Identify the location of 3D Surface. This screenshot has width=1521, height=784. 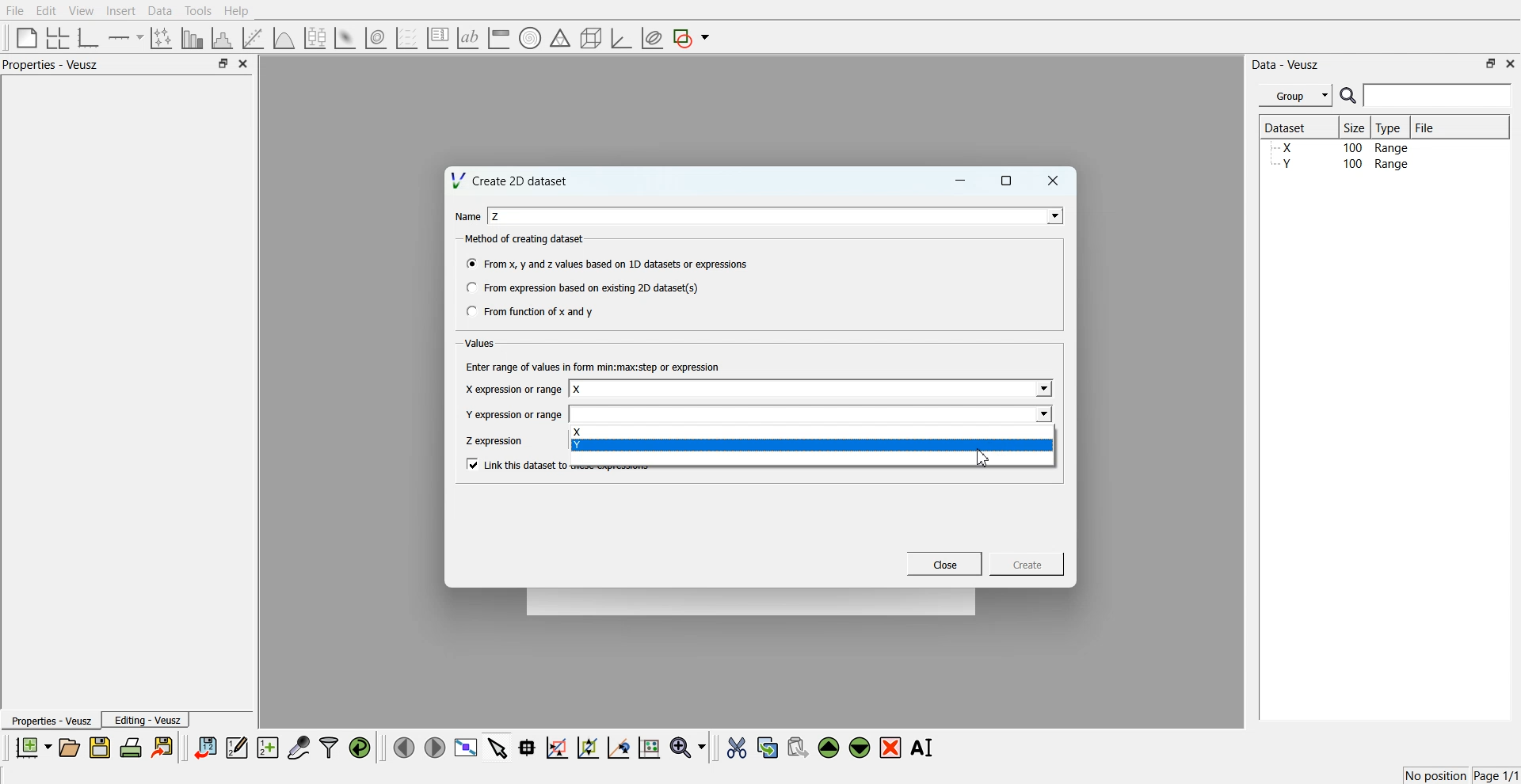
(345, 38).